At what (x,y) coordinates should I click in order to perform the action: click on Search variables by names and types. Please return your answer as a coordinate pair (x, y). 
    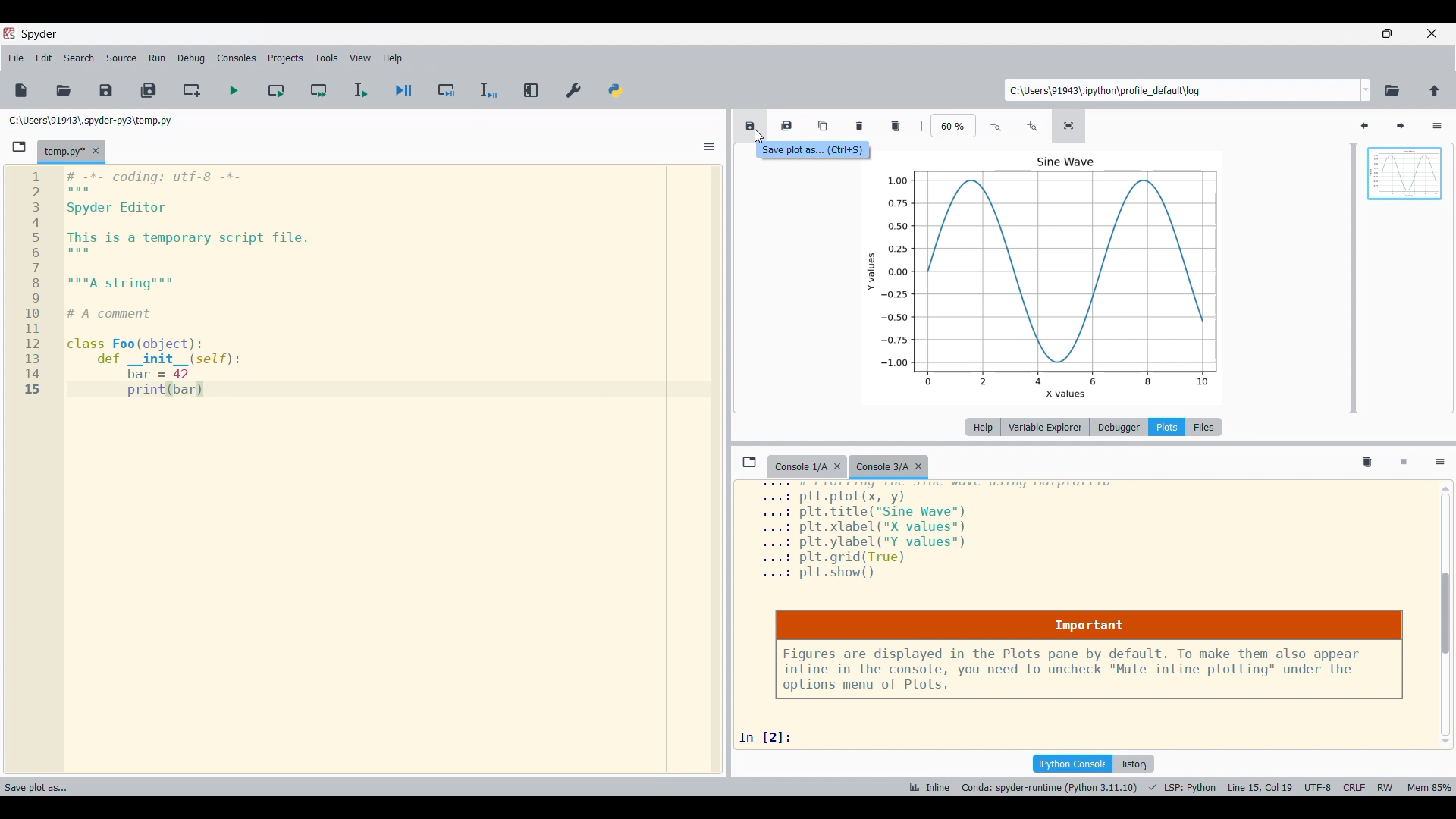
    Looking at the image, I should click on (1329, 126).